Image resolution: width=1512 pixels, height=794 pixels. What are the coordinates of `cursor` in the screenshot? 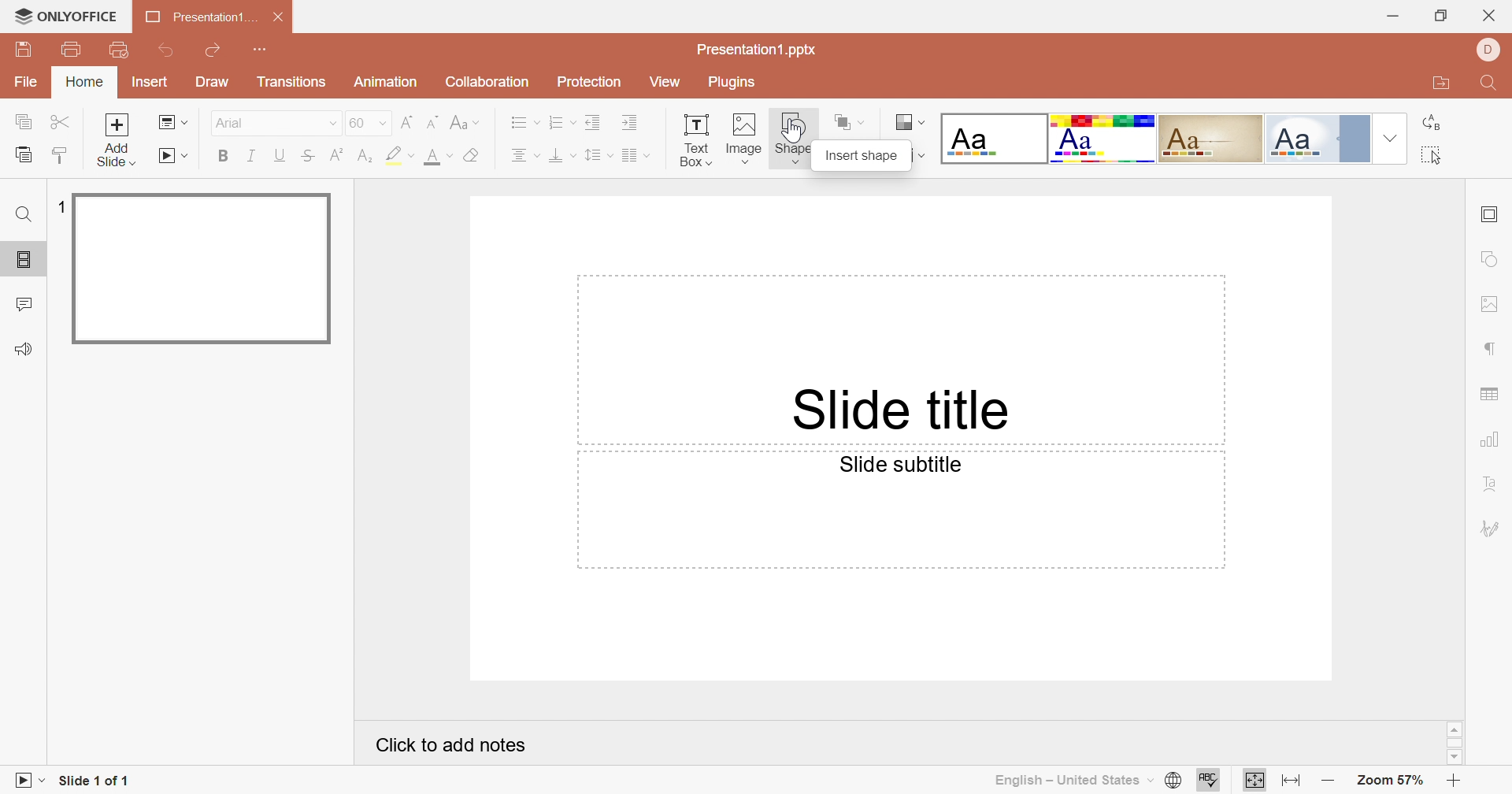 It's located at (795, 132).